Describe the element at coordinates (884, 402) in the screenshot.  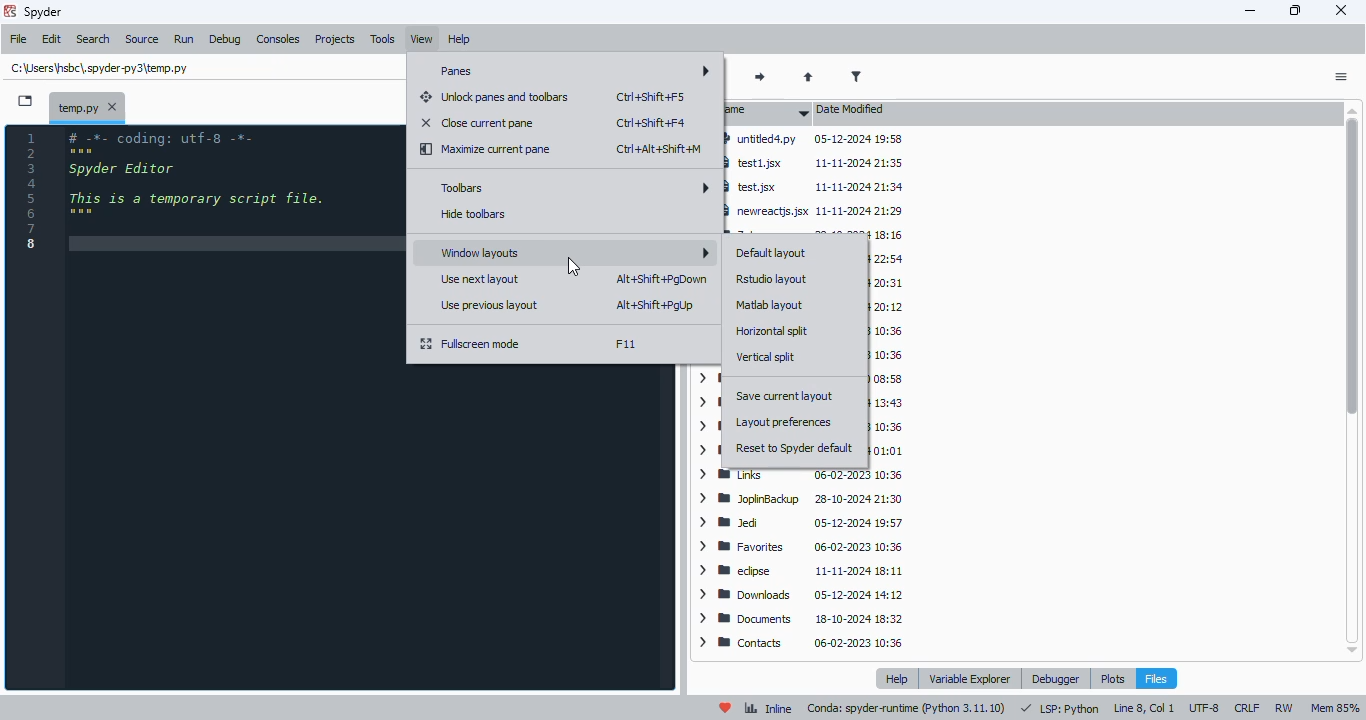
I see `OneDrive` at that location.